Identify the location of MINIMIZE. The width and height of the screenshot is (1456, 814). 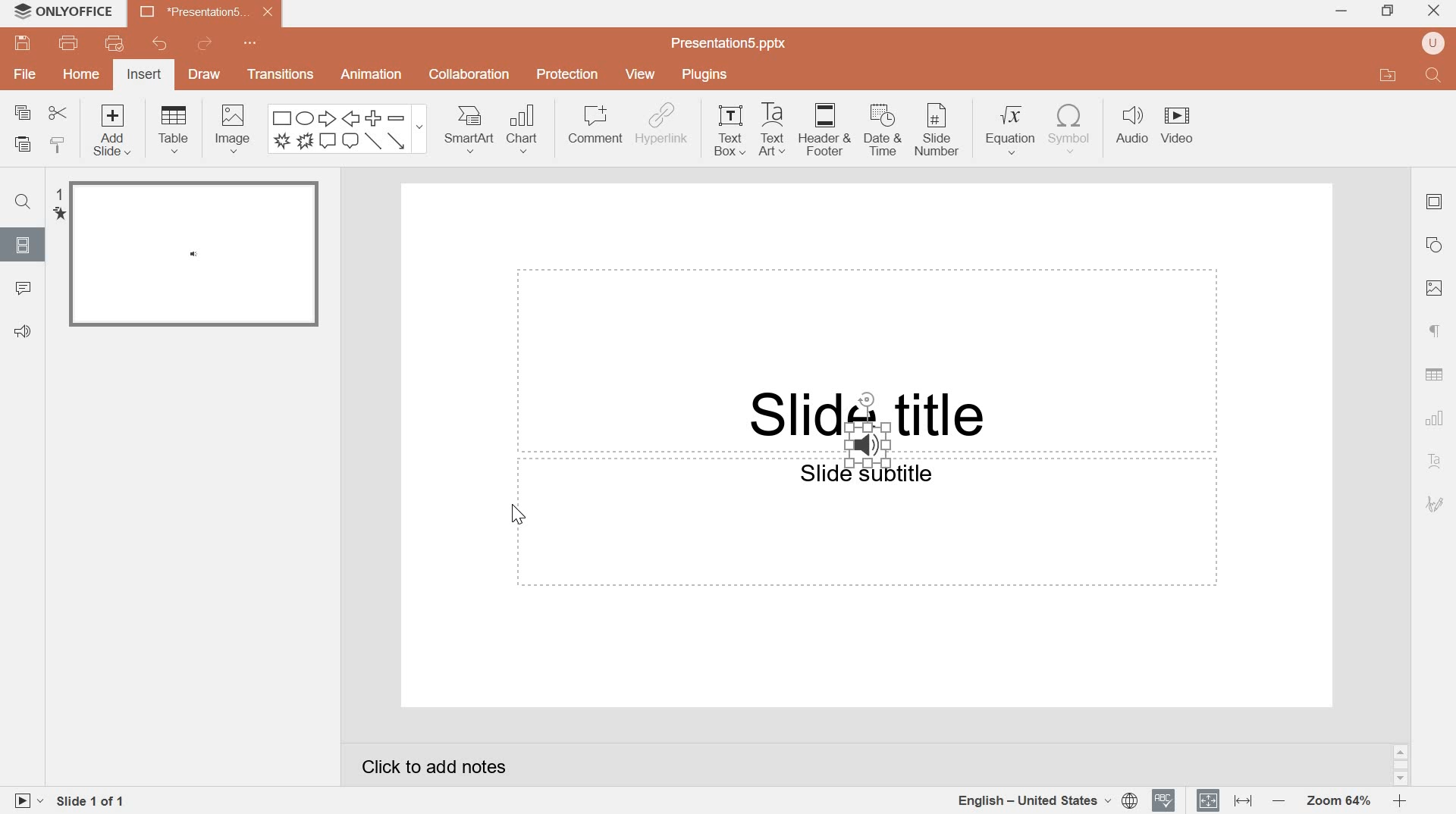
(1342, 13).